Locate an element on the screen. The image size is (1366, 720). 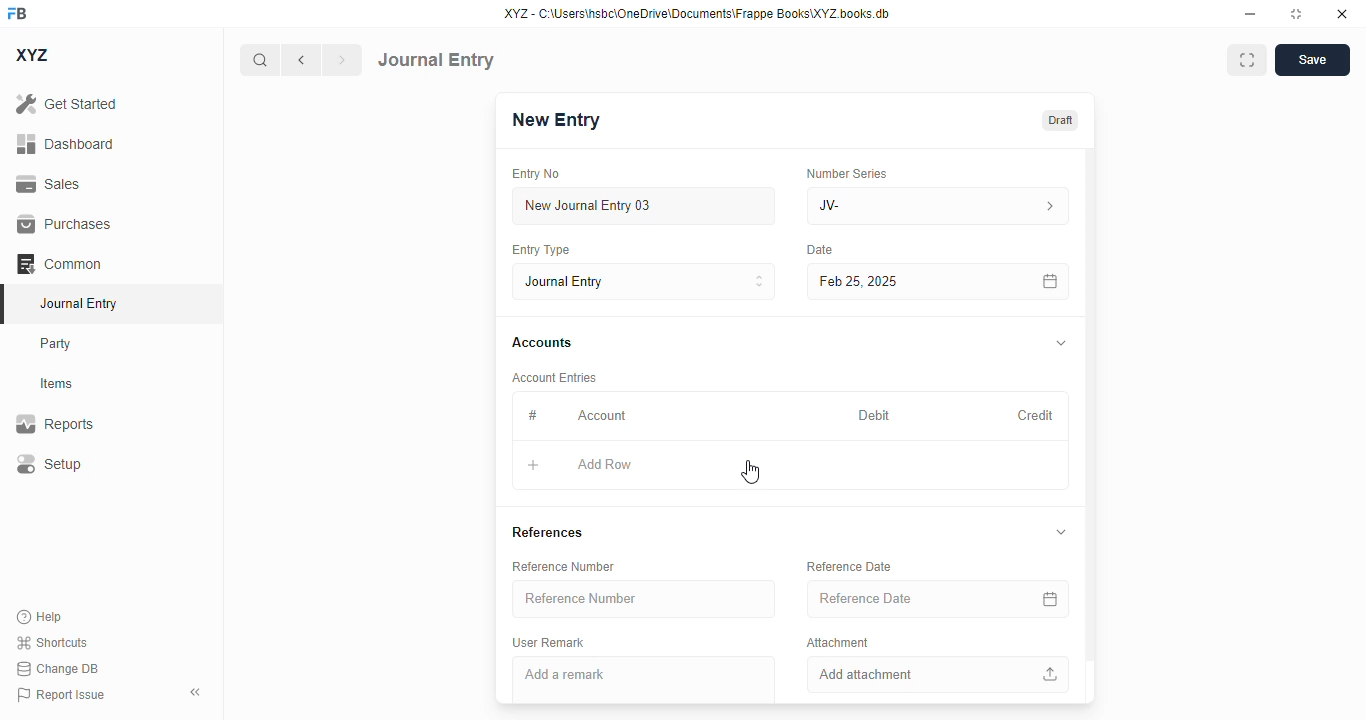
close is located at coordinates (1342, 13).